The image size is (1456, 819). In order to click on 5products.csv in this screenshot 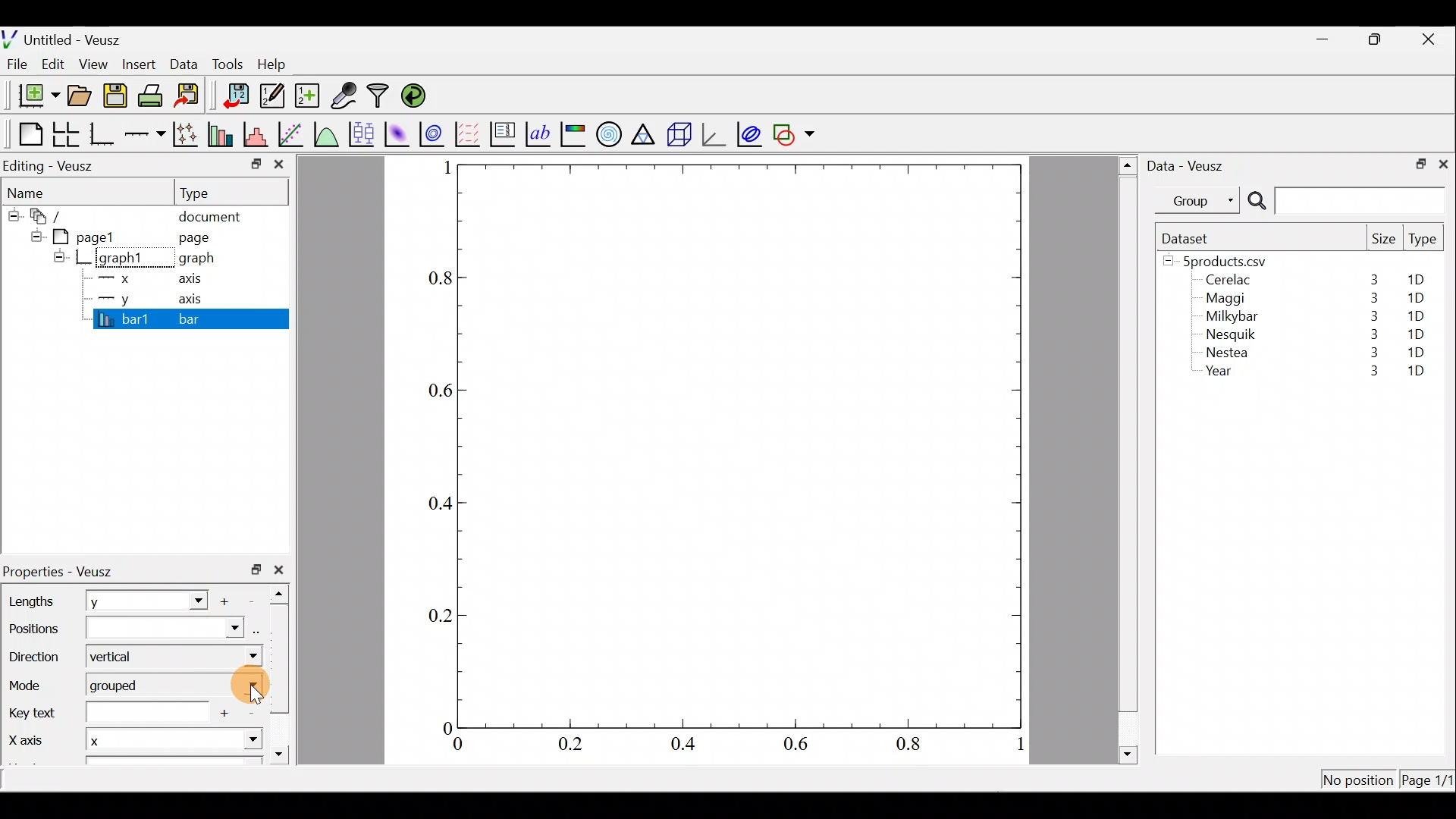, I will do `click(1223, 260)`.